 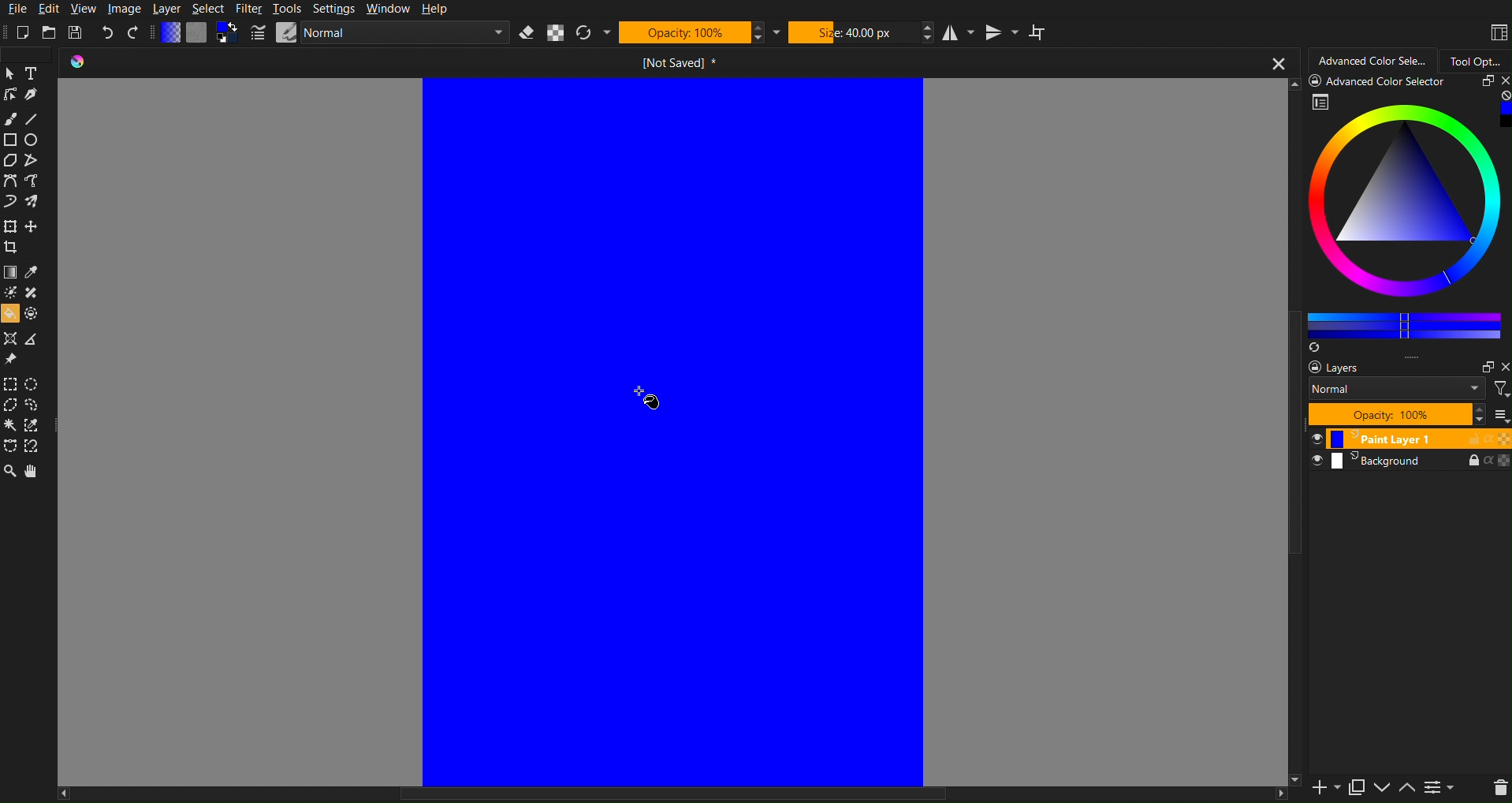 I want to click on Open, so click(x=48, y=32).